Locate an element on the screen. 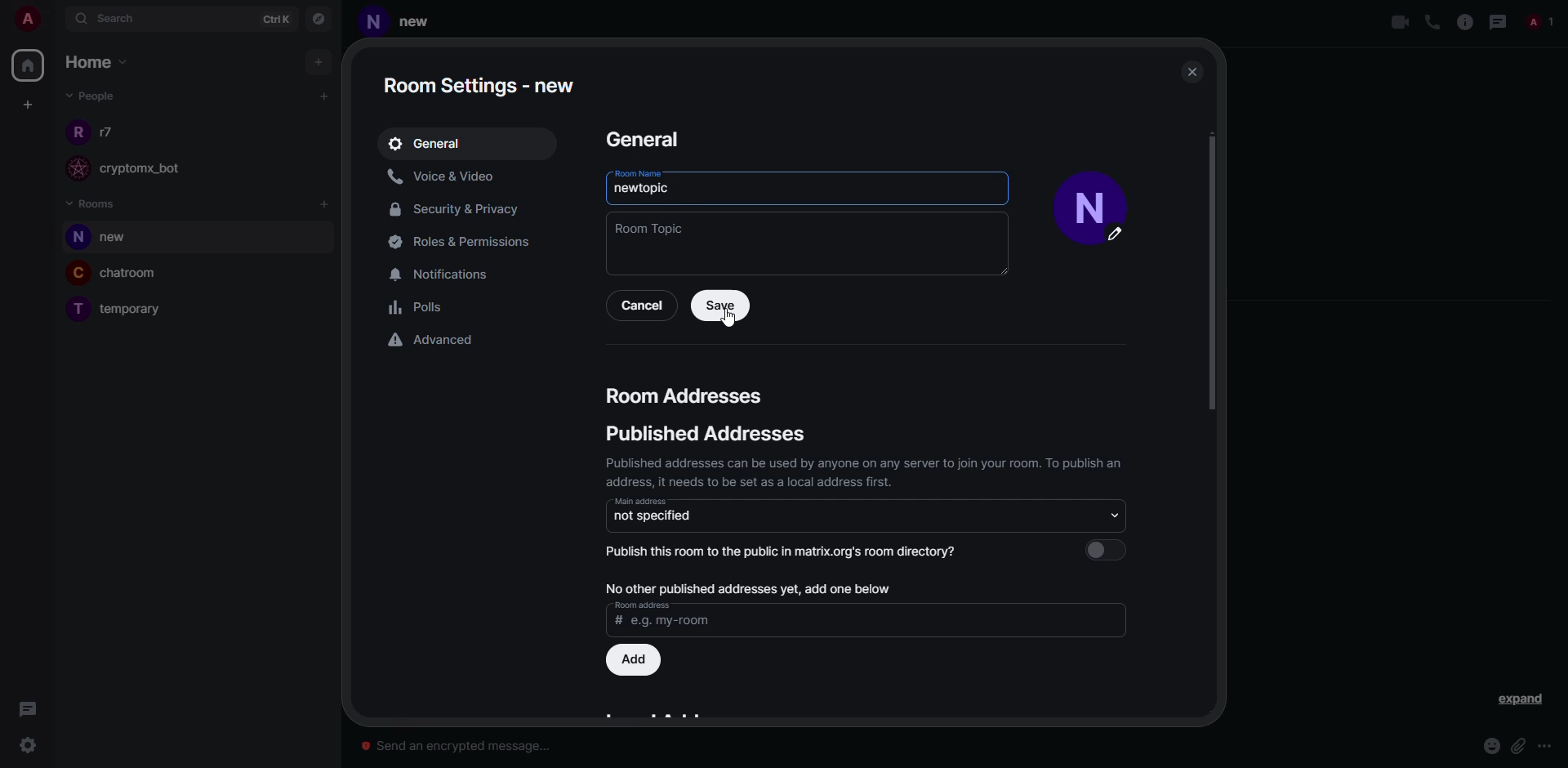  profile image is located at coordinates (78, 272).